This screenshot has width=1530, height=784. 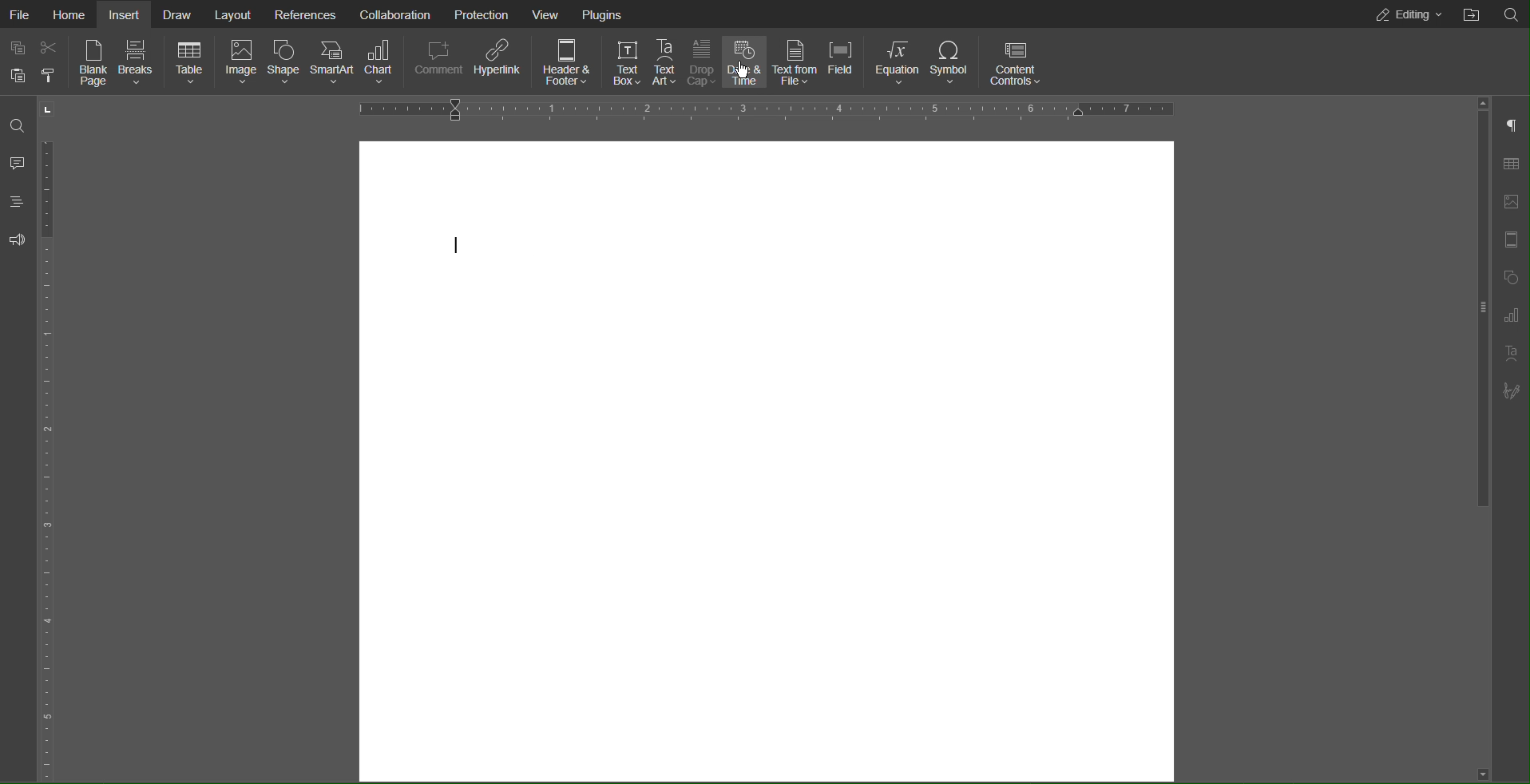 What do you see at coordinates (48, 51) in the screenshot?
I see `Cut` at bounding box center [48, 51].